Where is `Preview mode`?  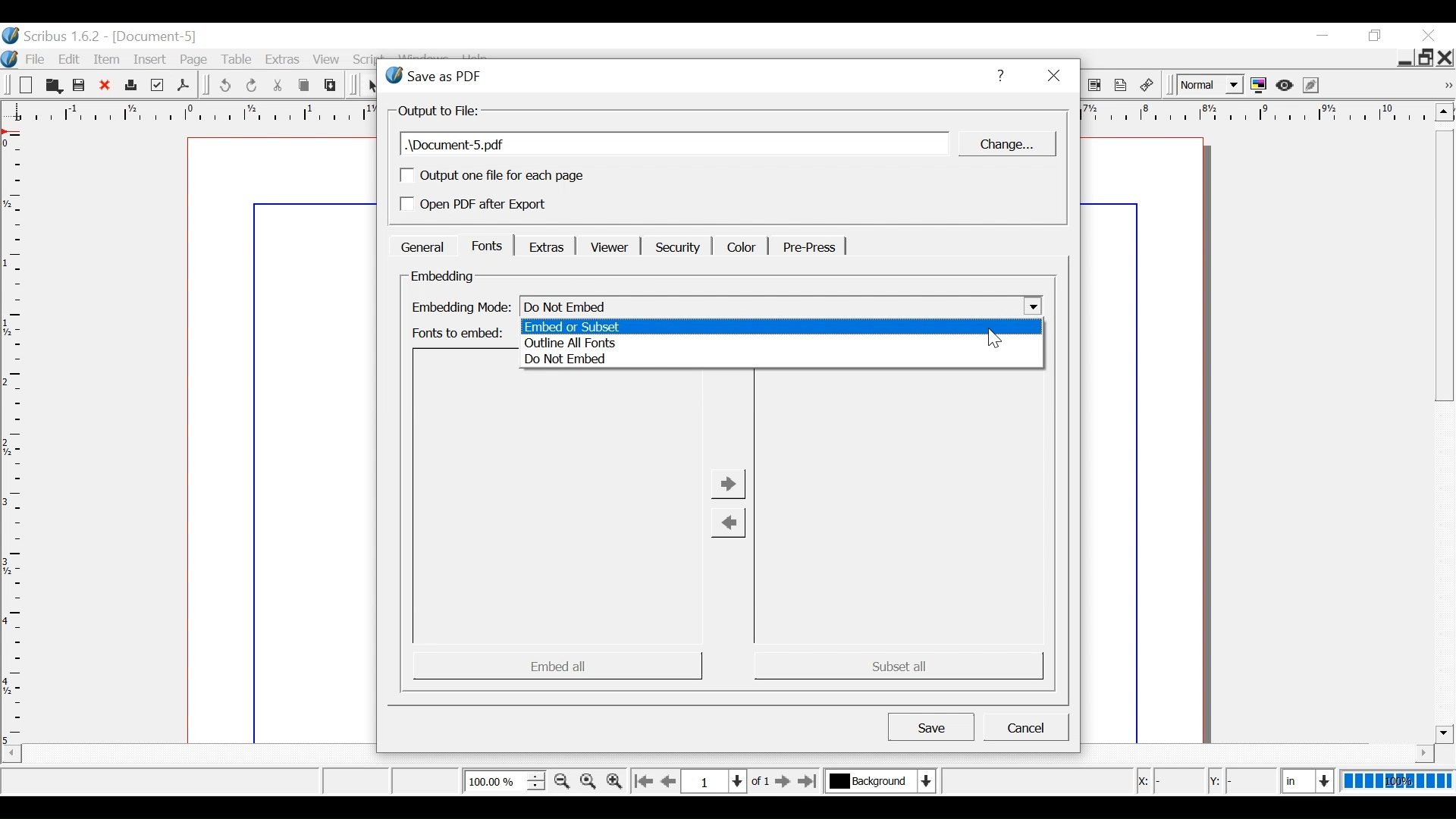 Preview mode is located at coordinates (1286, 86).